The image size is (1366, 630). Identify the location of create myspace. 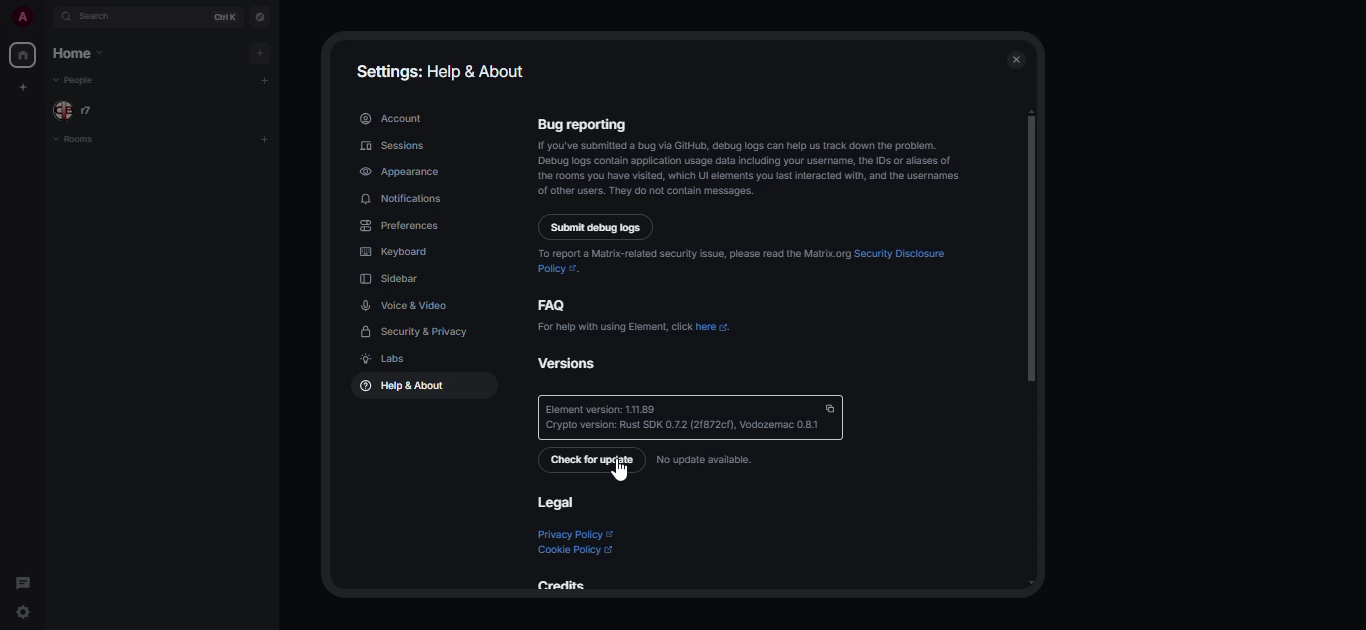
(21, 86).